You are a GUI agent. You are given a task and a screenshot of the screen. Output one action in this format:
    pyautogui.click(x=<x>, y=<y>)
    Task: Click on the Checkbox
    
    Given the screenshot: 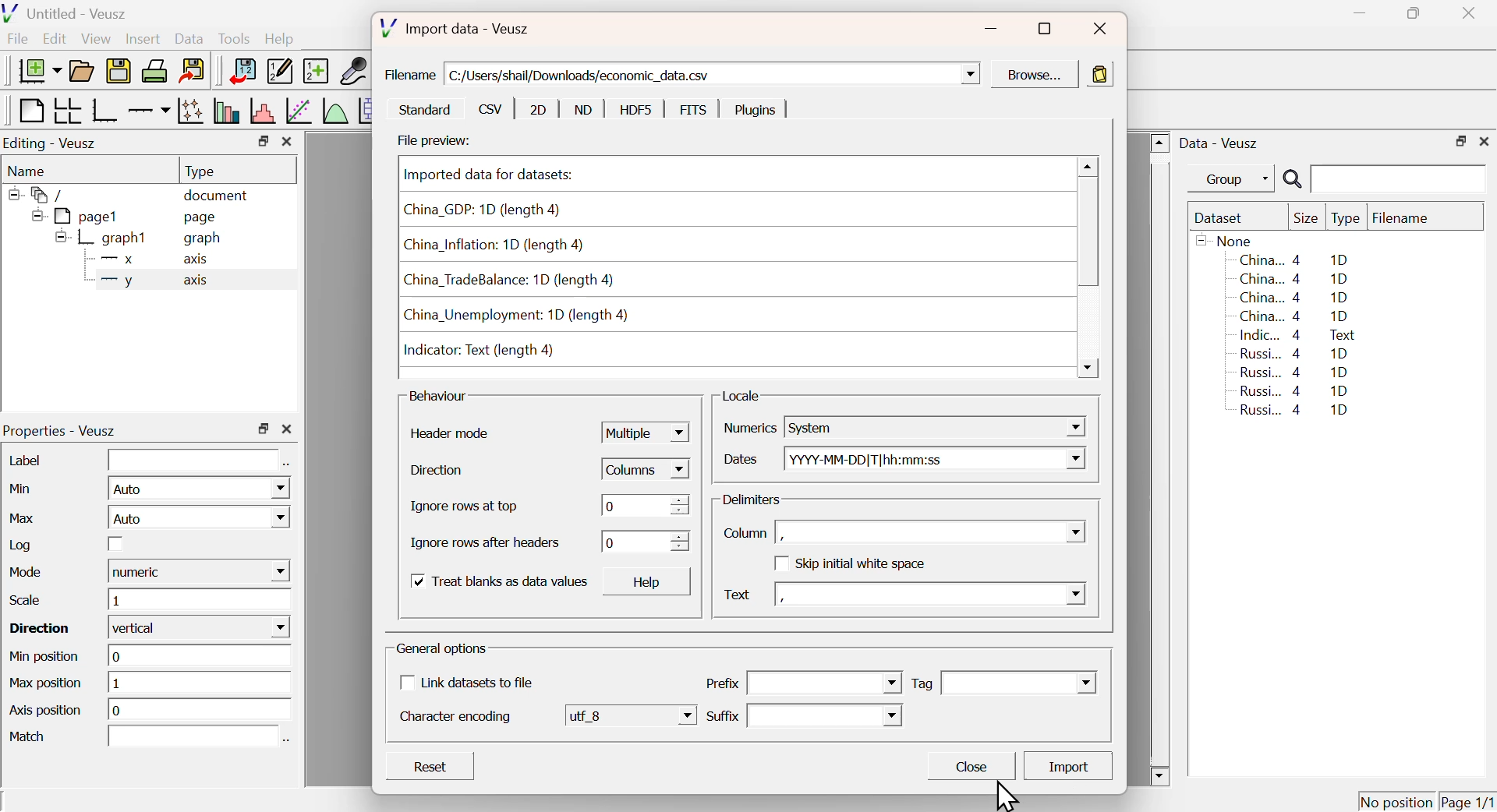 What is the action you would take?
    pyautogui.click(x=115, y=544)
    